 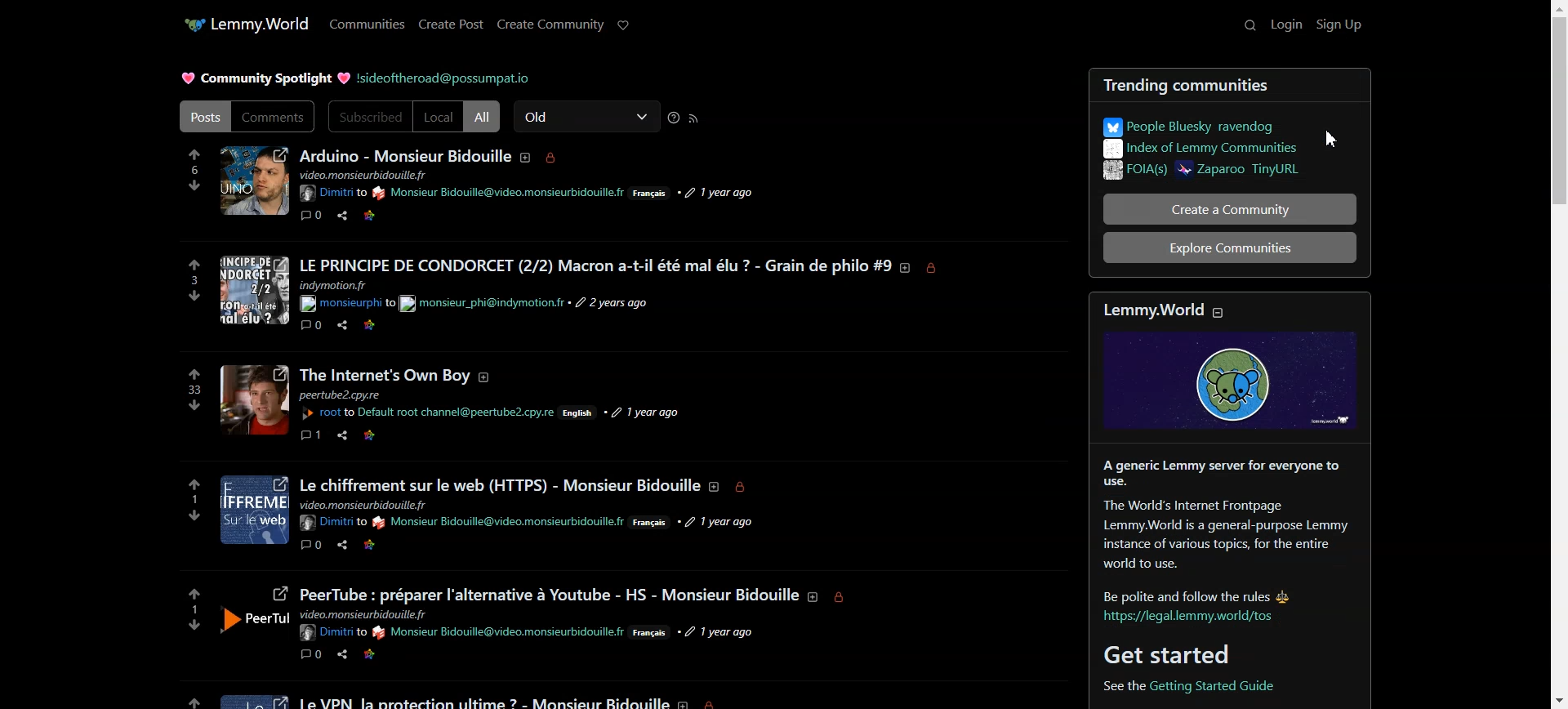 What do you see at coordinates (350, 395) in the screenshot?
I see `text` at bounding box center [350, 395].